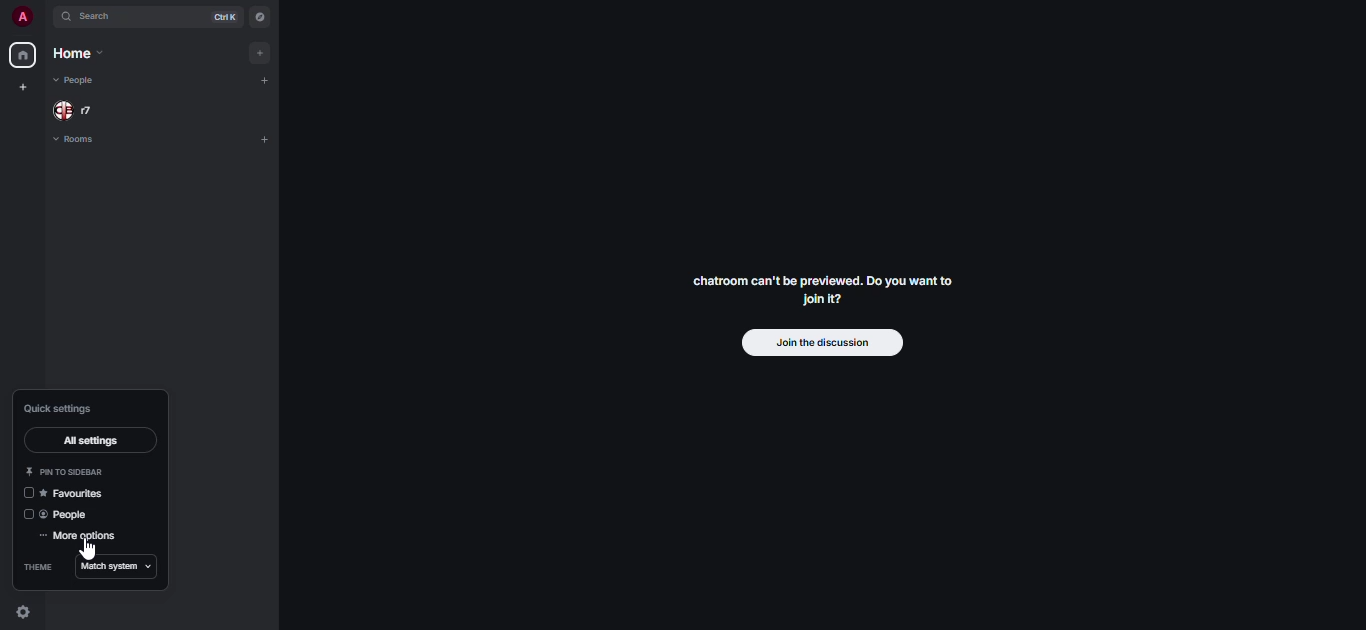 This screenshot has width=1366, height=630. I want to click on home, so click(22, 55).